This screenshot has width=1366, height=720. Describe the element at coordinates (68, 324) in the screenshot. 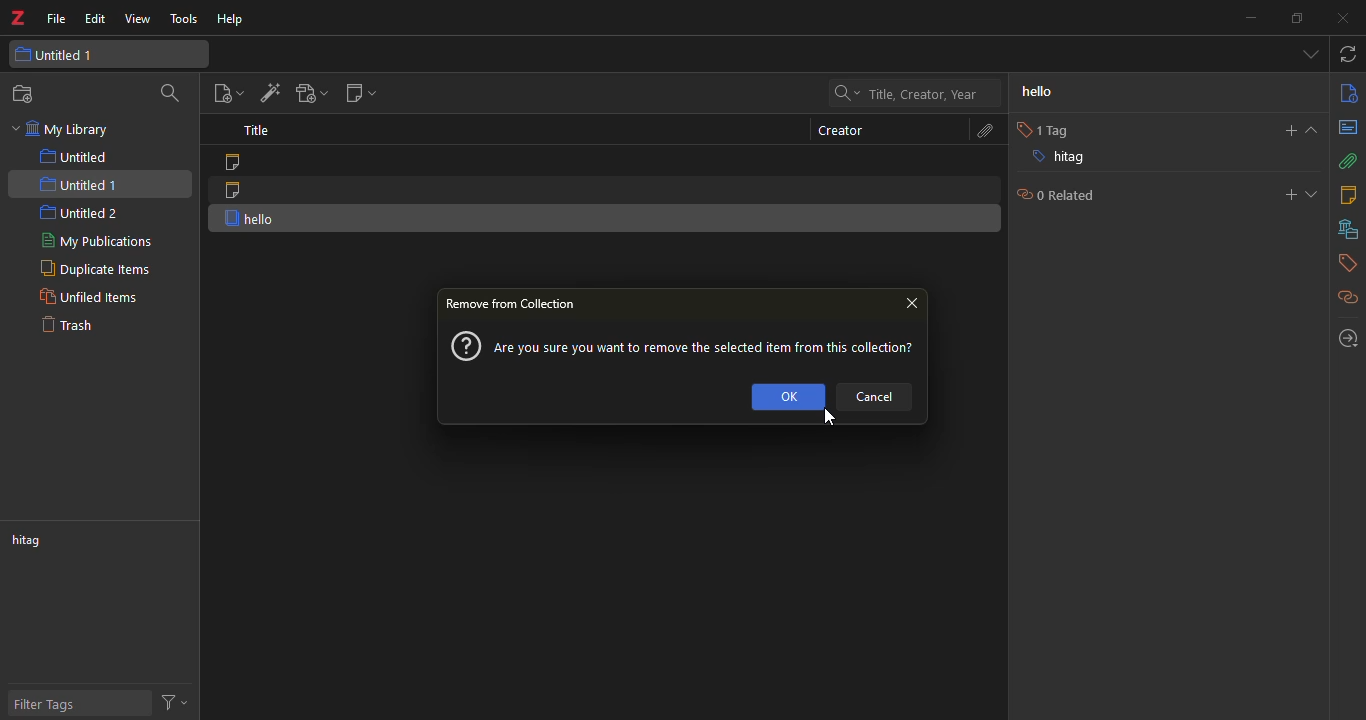

I see `trash` at that location.